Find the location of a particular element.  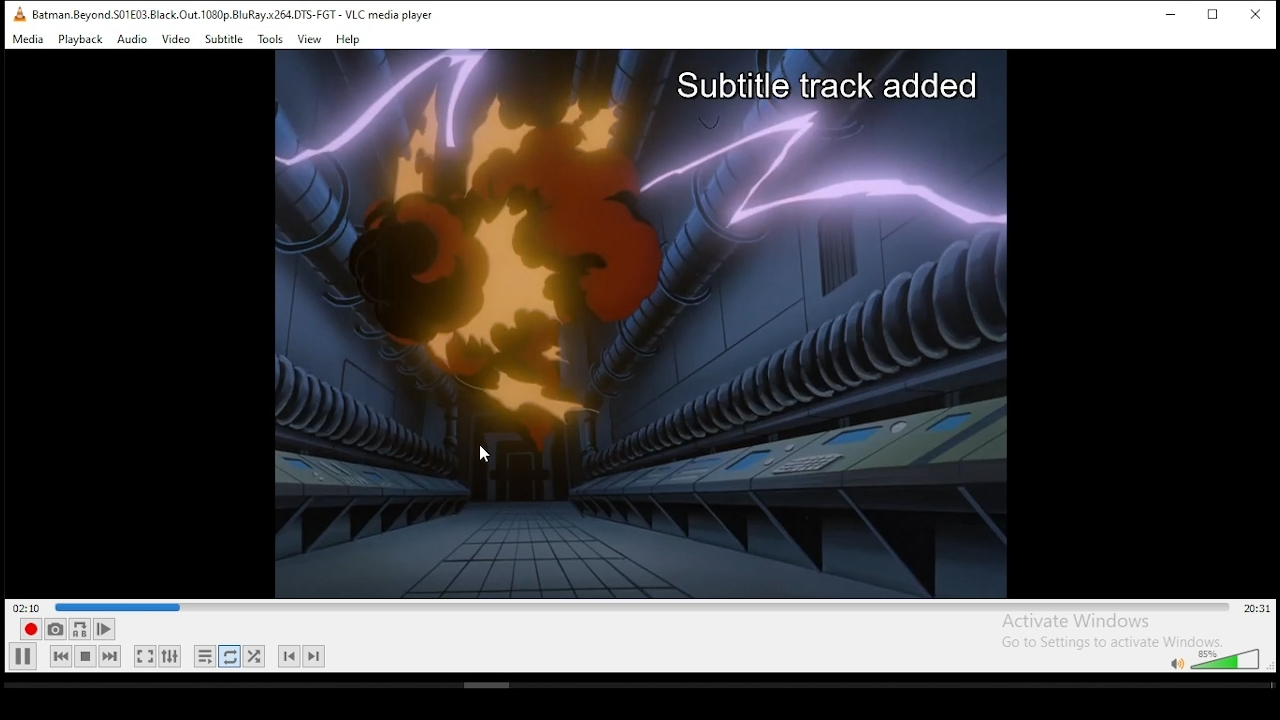

stop is located at coordinates (84, 656).